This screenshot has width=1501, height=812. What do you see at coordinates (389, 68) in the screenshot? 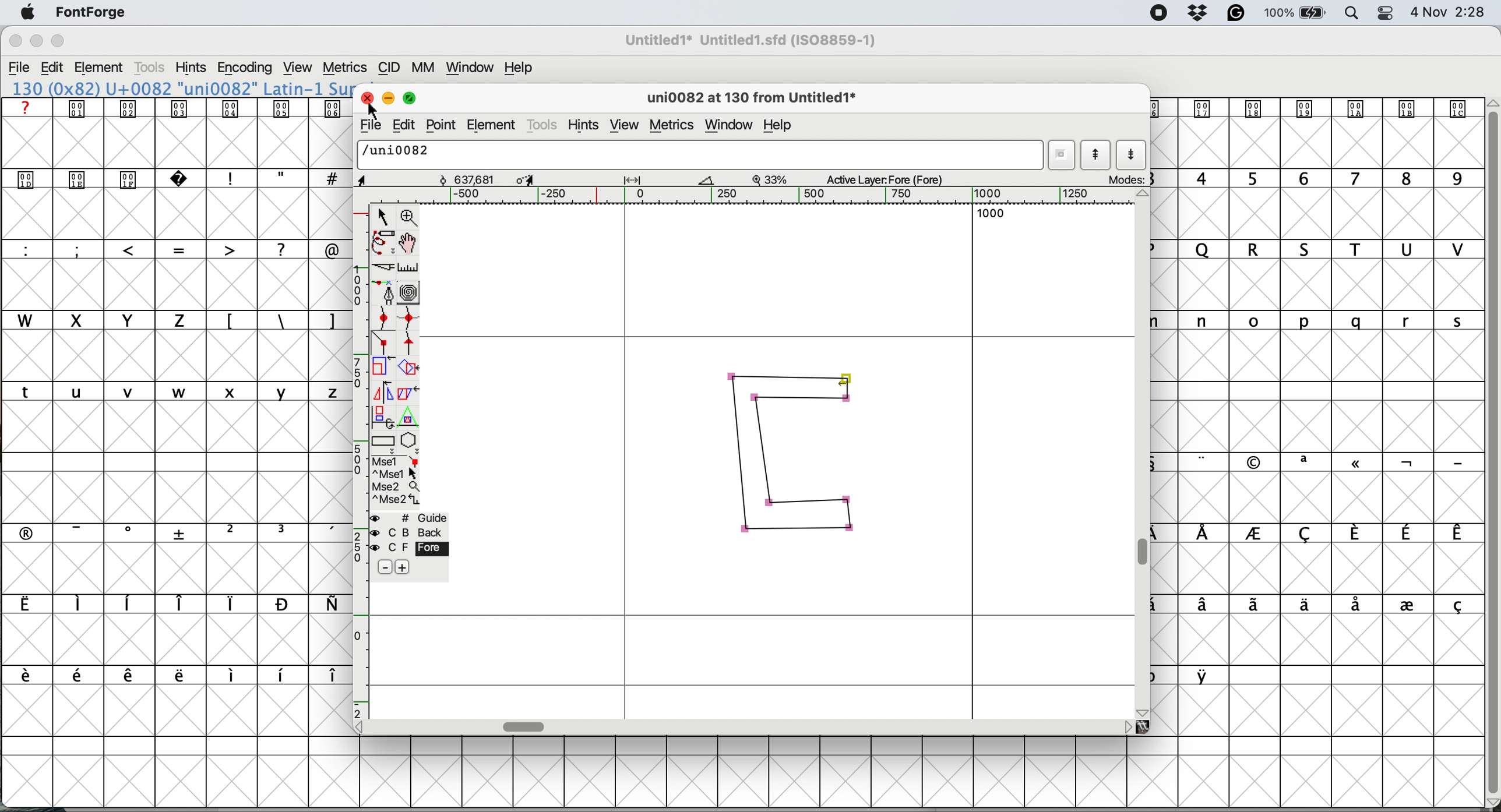
I see `cid` at bounding box center [389, 68].